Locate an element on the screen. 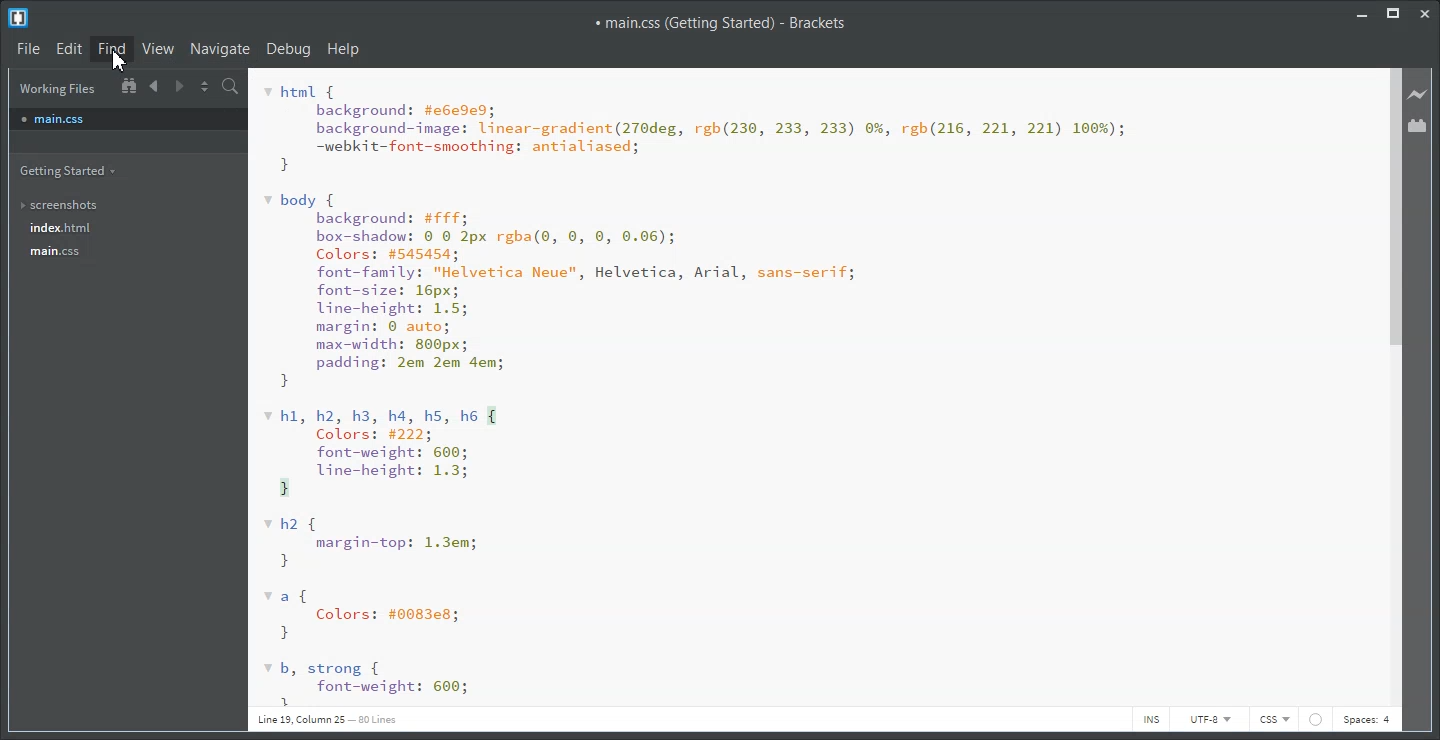 The image size is (1440, 740). main.css is located at coordinates (73, 251).